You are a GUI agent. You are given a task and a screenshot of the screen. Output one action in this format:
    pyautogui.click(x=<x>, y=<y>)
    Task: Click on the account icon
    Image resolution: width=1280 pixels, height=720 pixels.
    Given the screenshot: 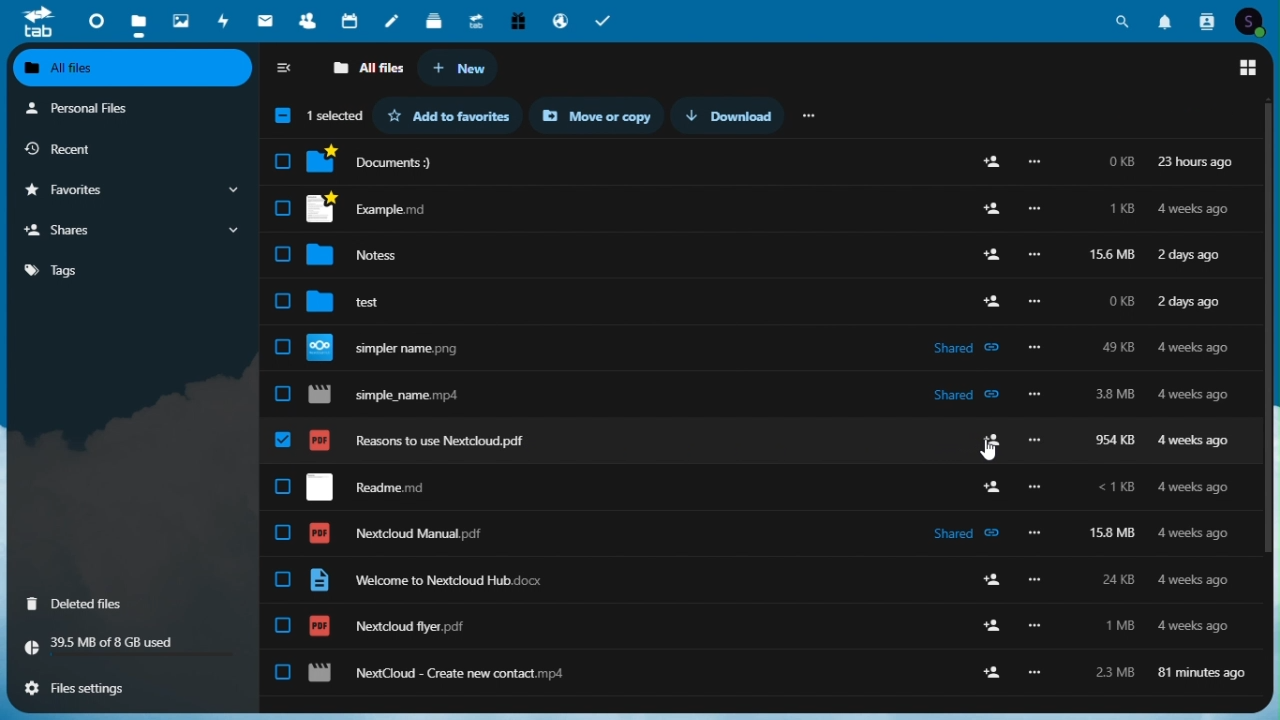 What is the action you would take?
    pyautogui.click(x=1254, y=21)
    